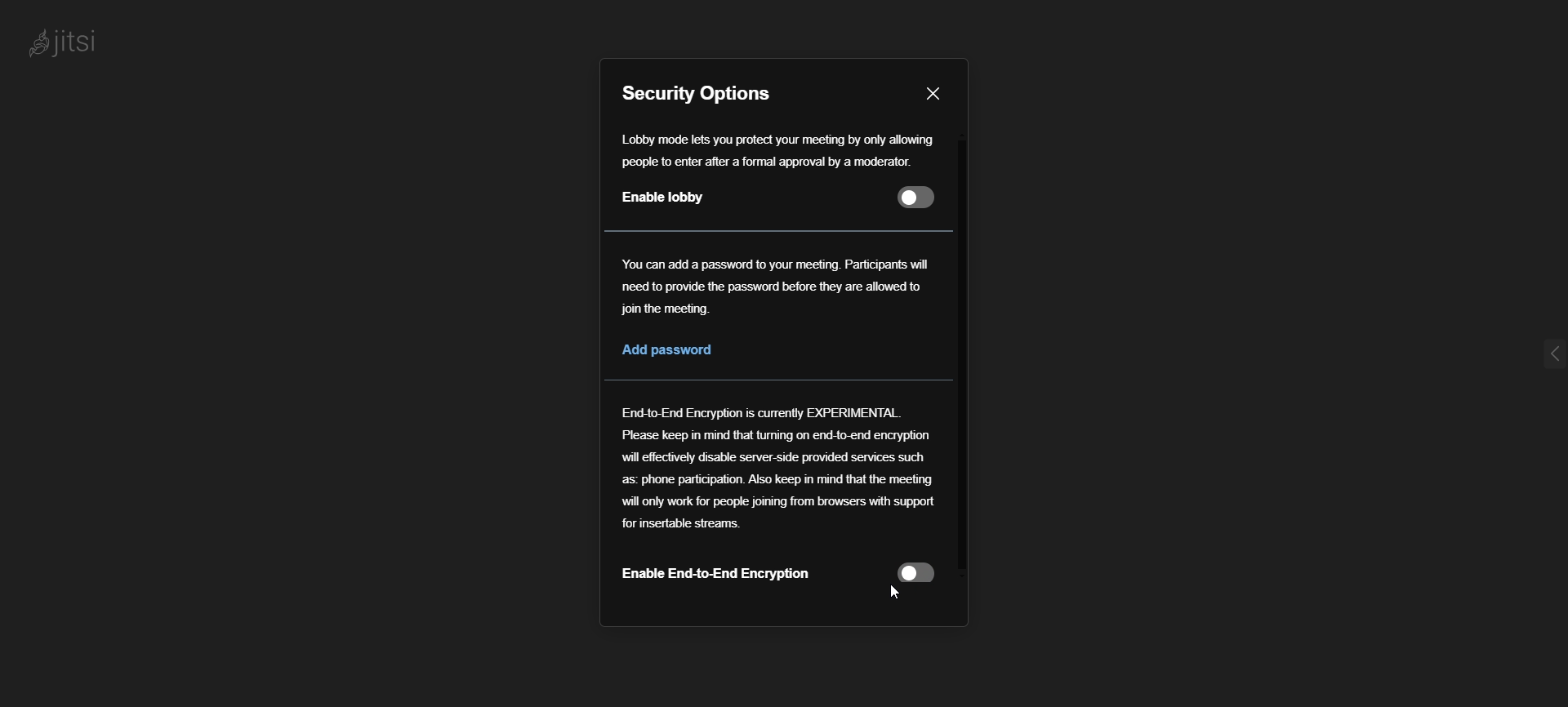  Describe the element at coordinates (702, 92) in the screenshot. I see `security options` at that location.